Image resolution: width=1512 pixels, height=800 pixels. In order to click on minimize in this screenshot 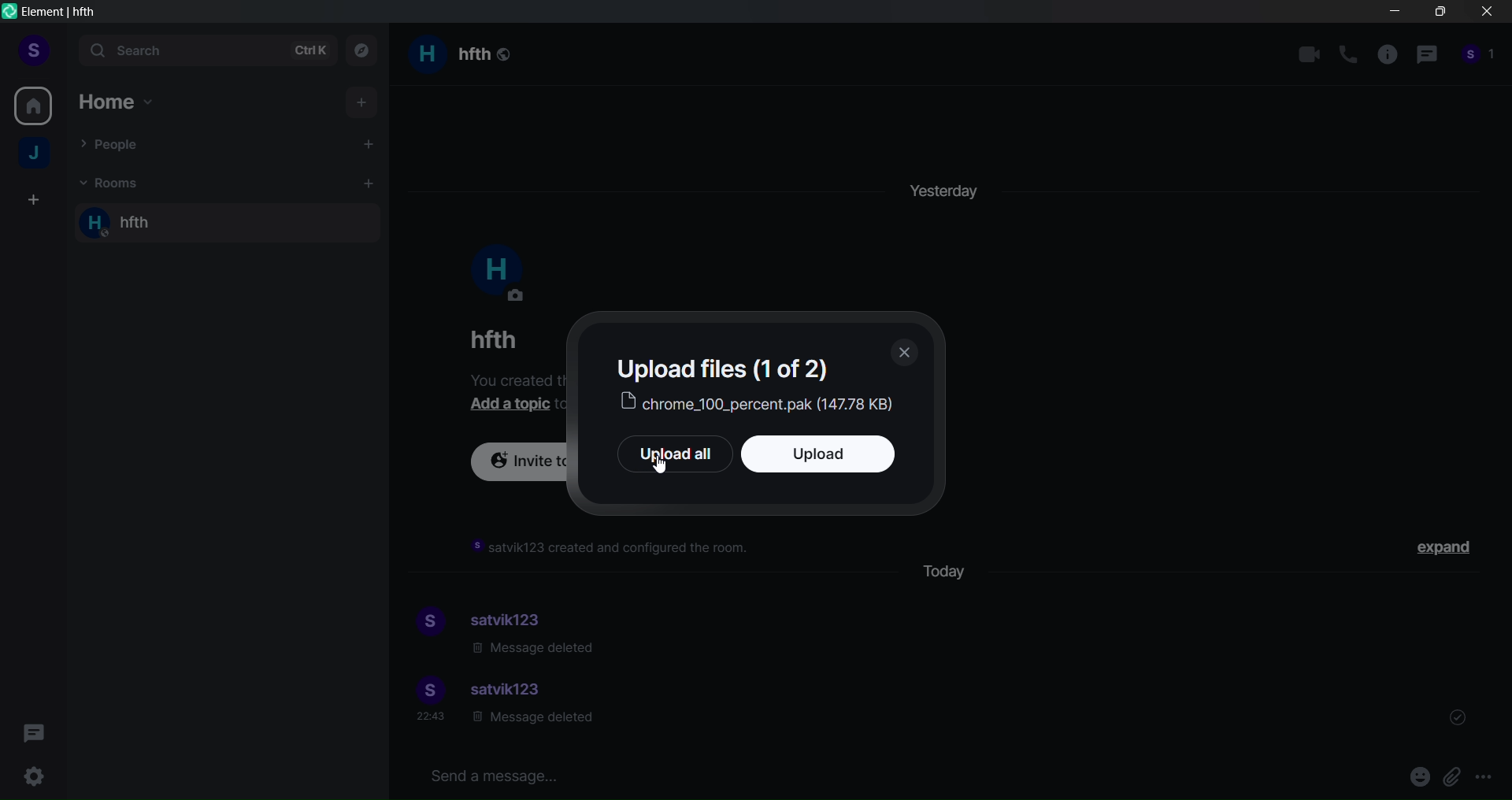, I will do `click(1395, 14)`.